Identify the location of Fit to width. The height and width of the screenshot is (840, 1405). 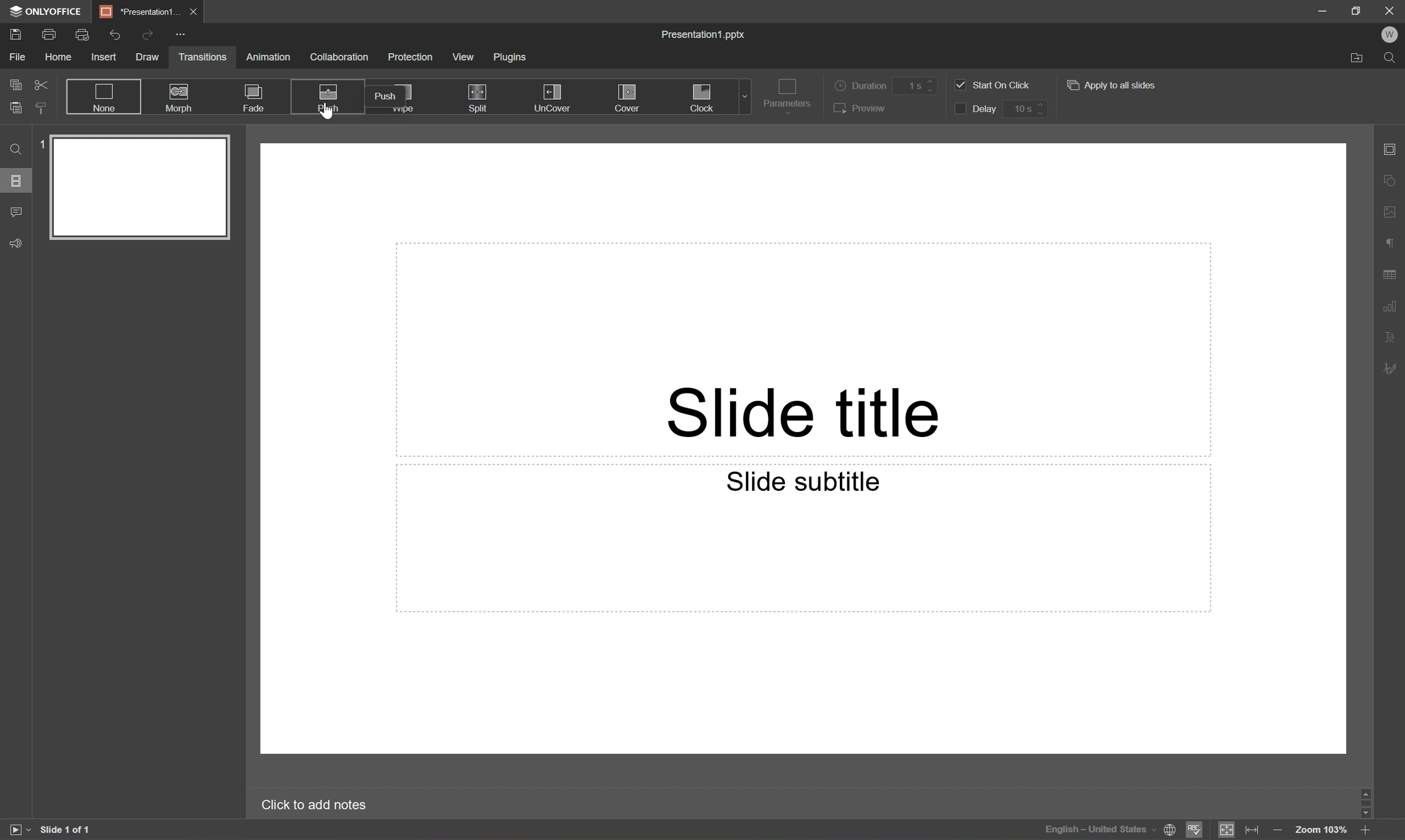
(1253, 831).